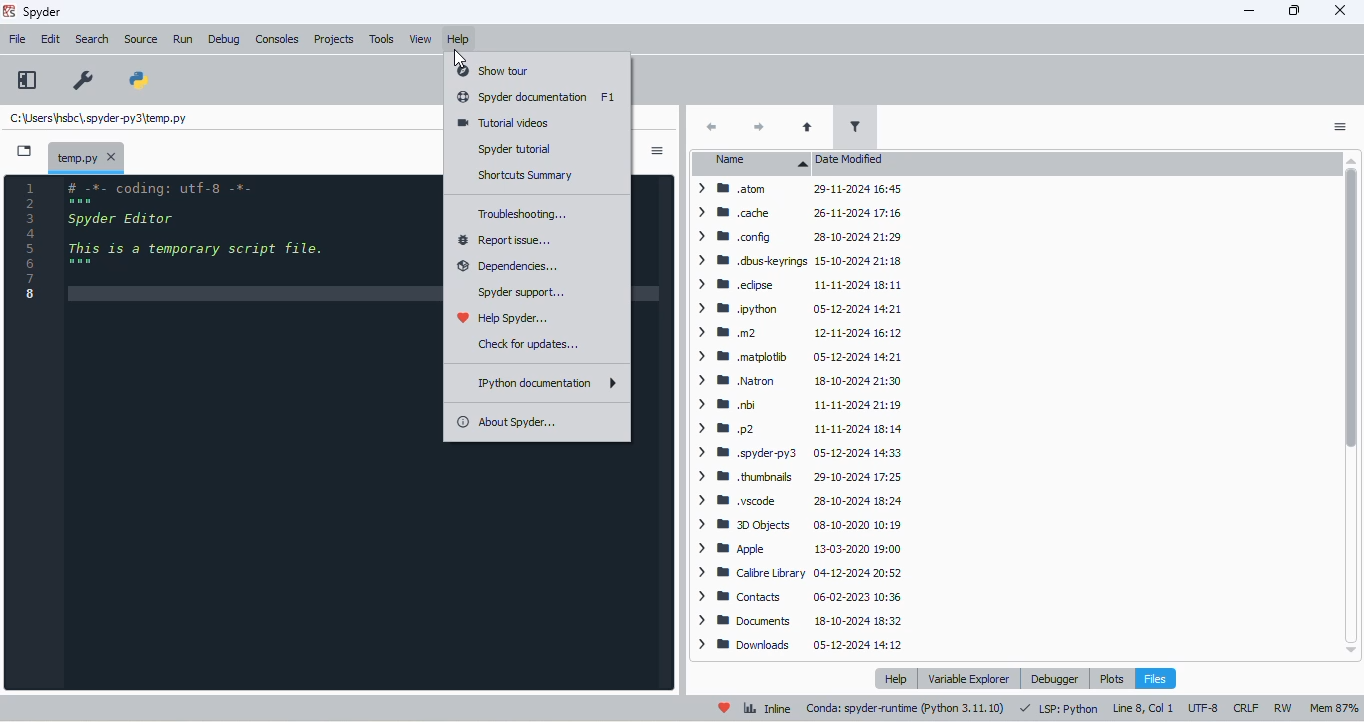  I want to click on mem 87%, so click(1335, 710).